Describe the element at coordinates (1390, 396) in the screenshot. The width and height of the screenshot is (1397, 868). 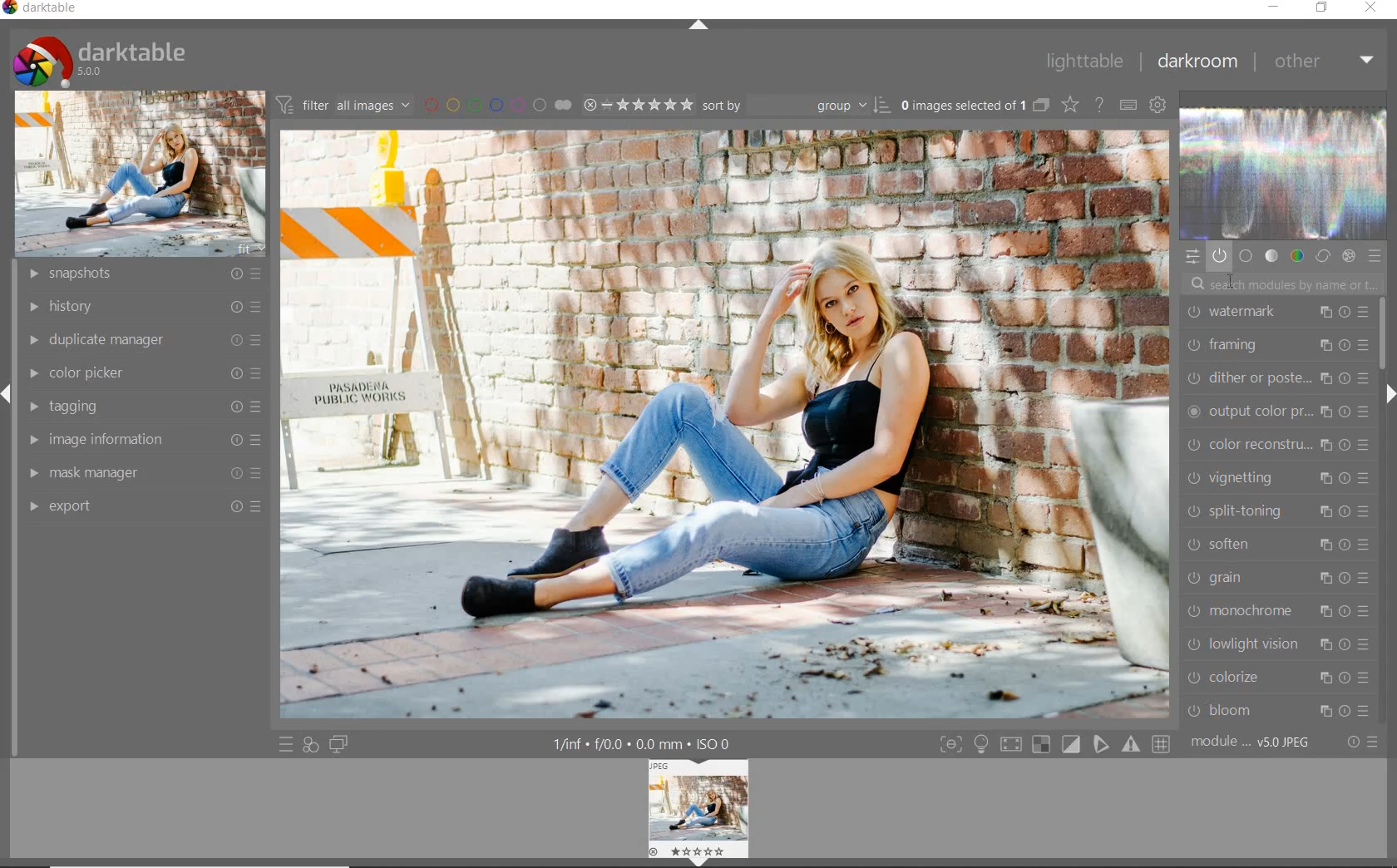
I see `expand/collapse` at that location.